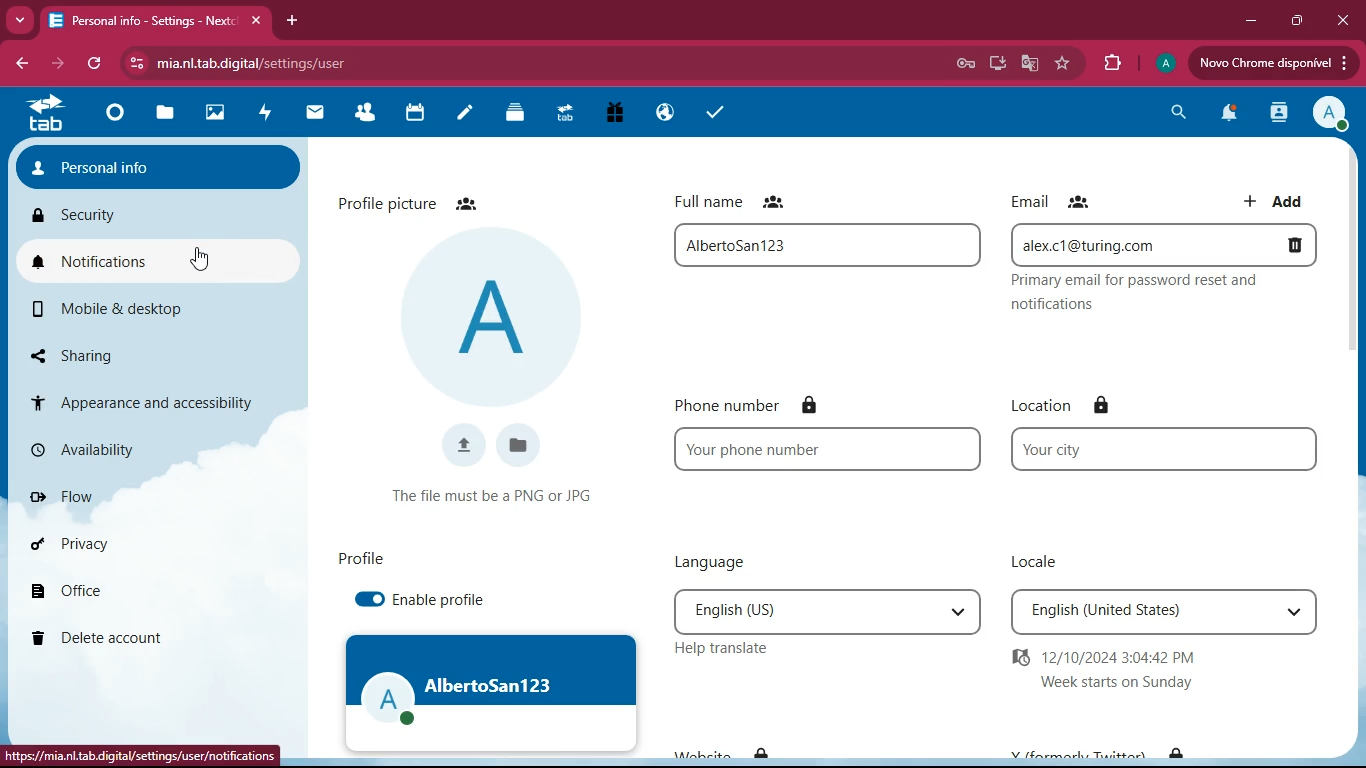 The image size is (1366, 768). I want to click on public, so click(668, 112).